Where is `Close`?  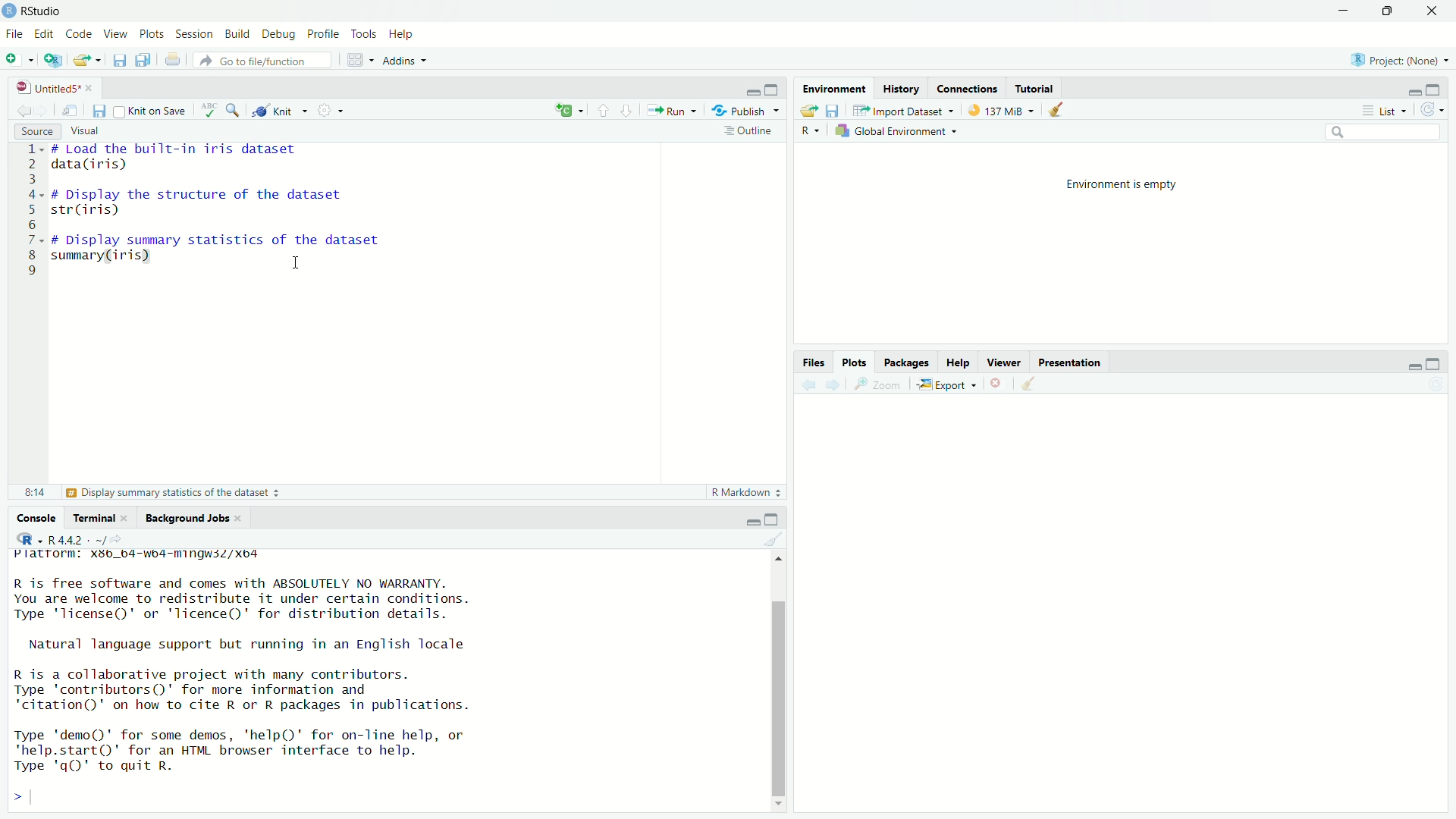 Close is located at coordinates (1432, 10).